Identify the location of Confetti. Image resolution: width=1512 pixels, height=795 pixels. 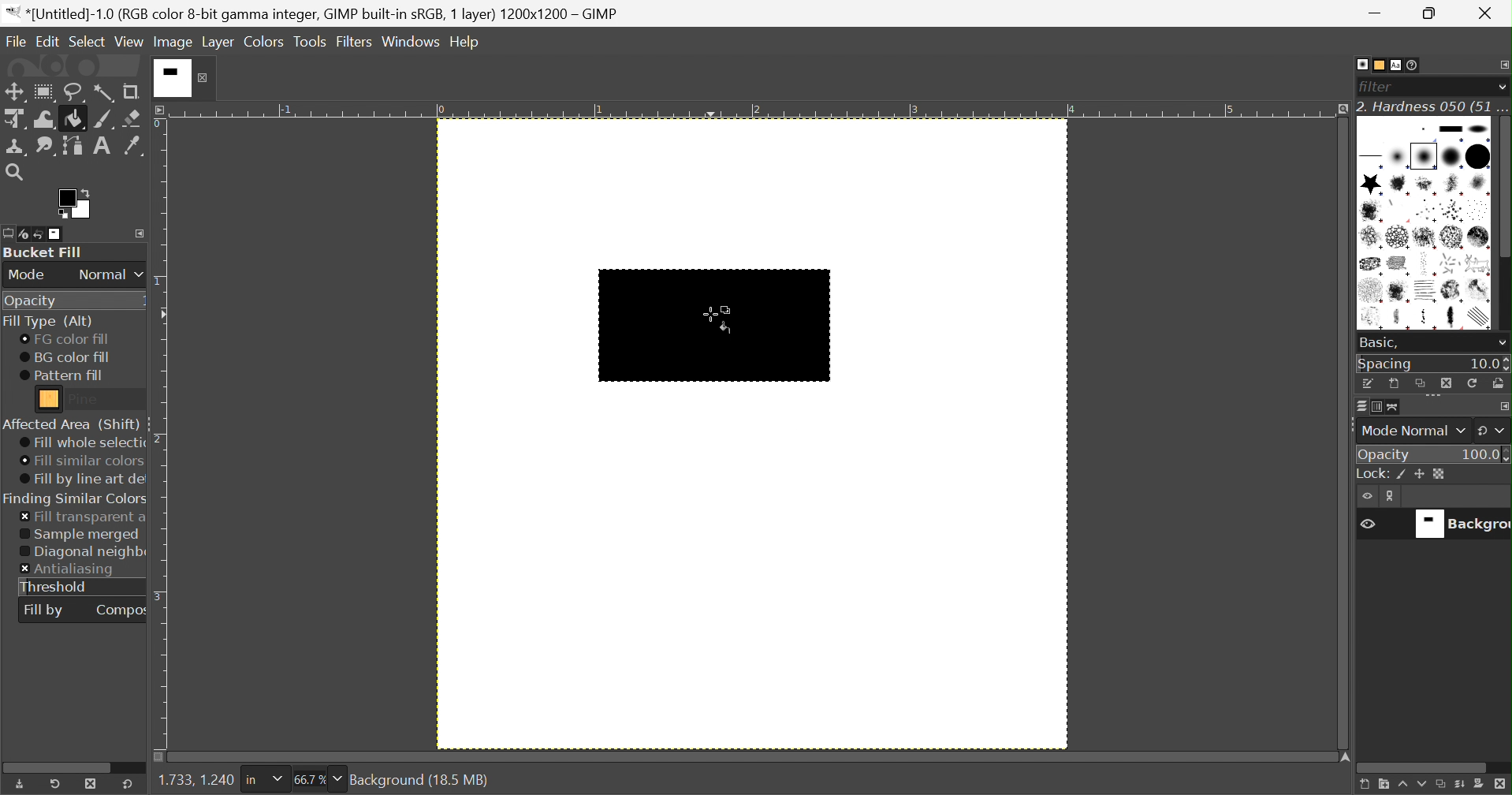
(1451, 263).